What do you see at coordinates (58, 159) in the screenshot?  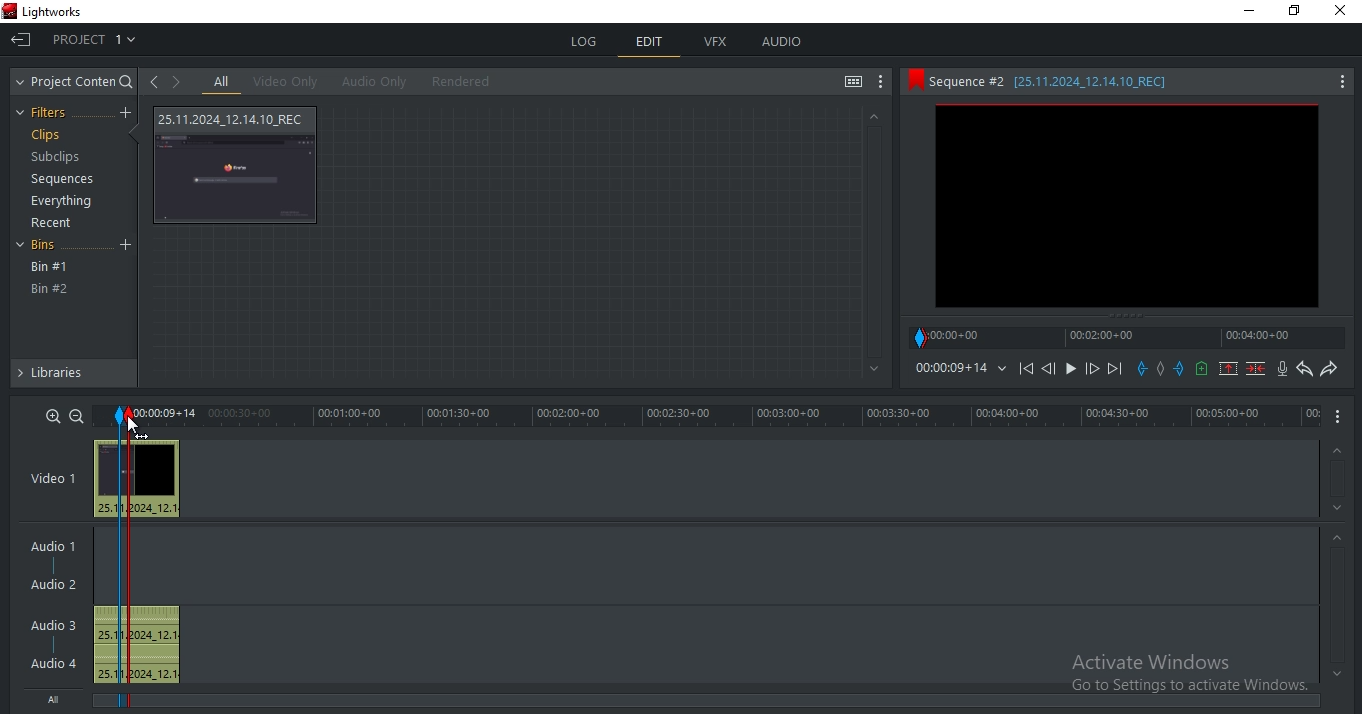 I see `subclips` at bounding box center [58, 159].